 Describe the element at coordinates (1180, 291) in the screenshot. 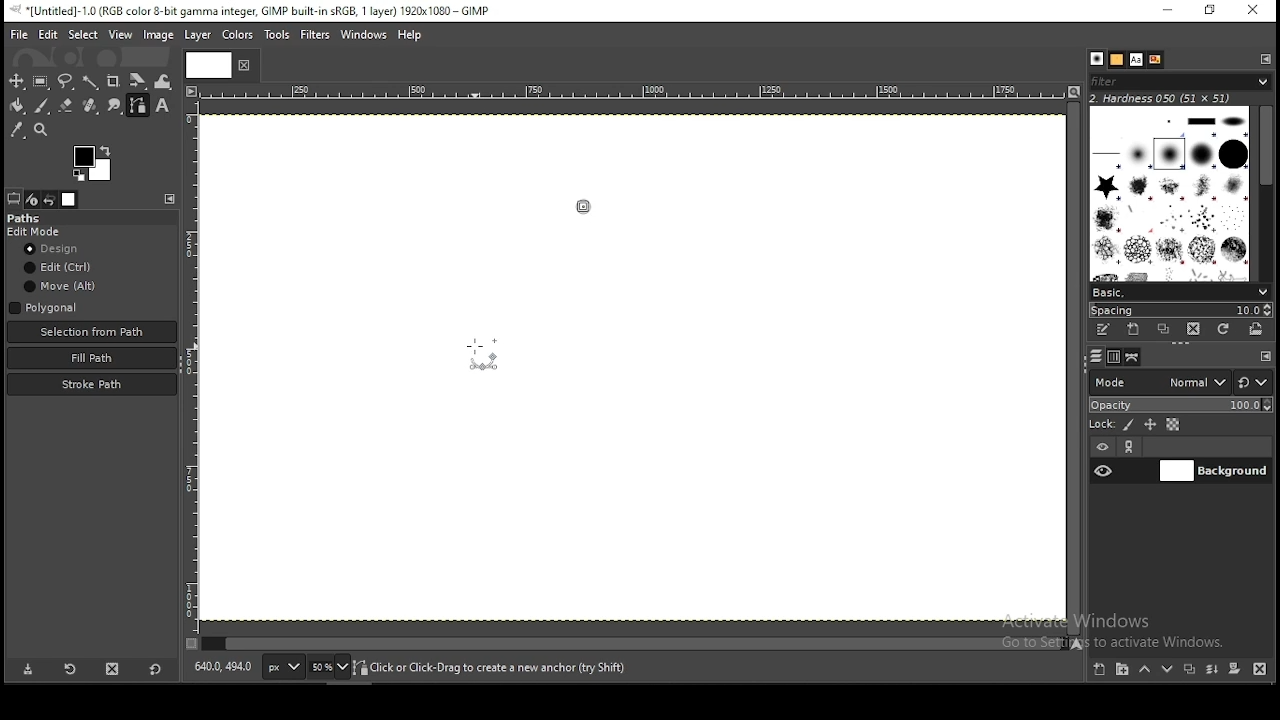

I see `brush presets` at that location.